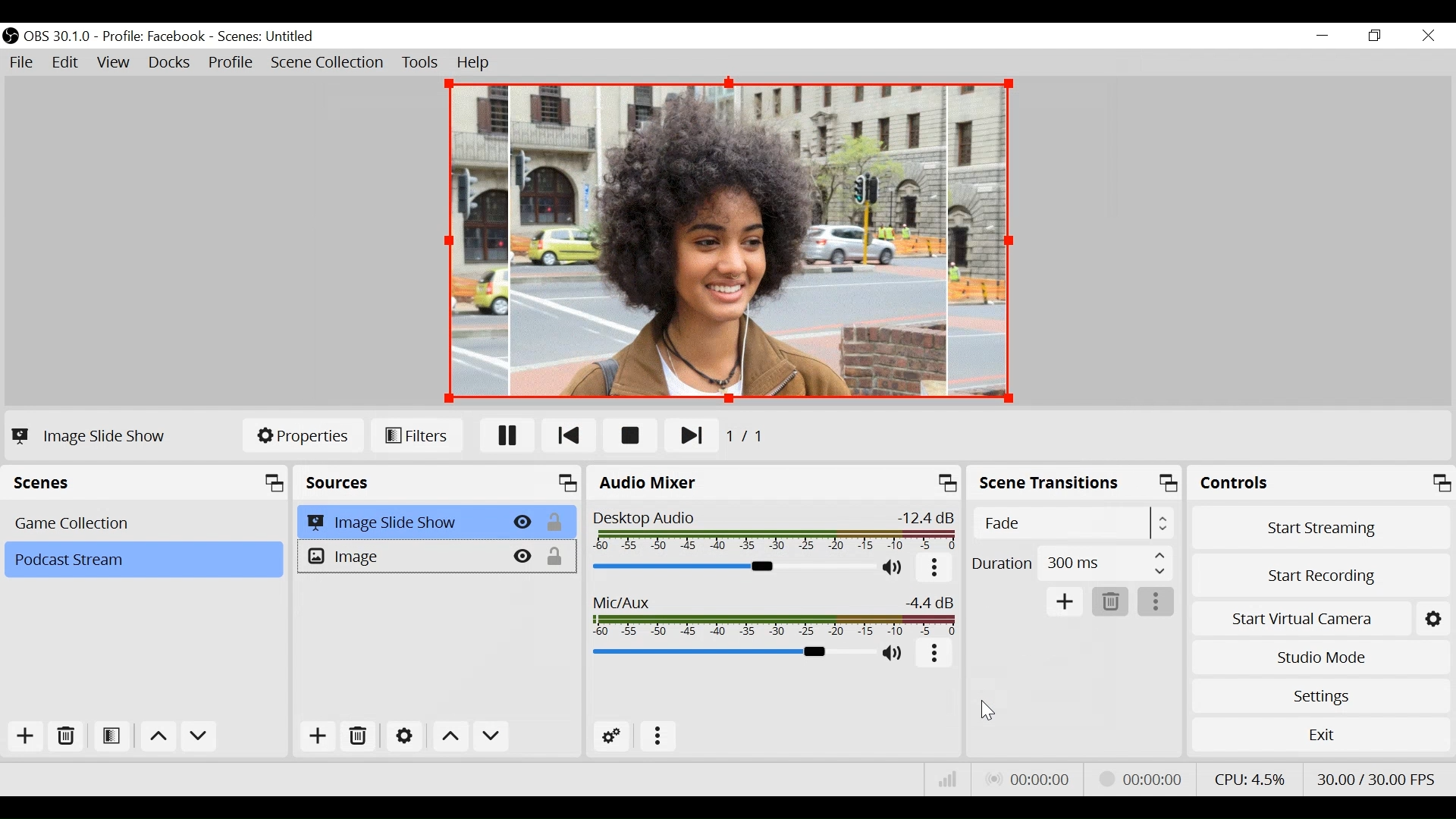  I want to click on Delete, so click(360, 737).